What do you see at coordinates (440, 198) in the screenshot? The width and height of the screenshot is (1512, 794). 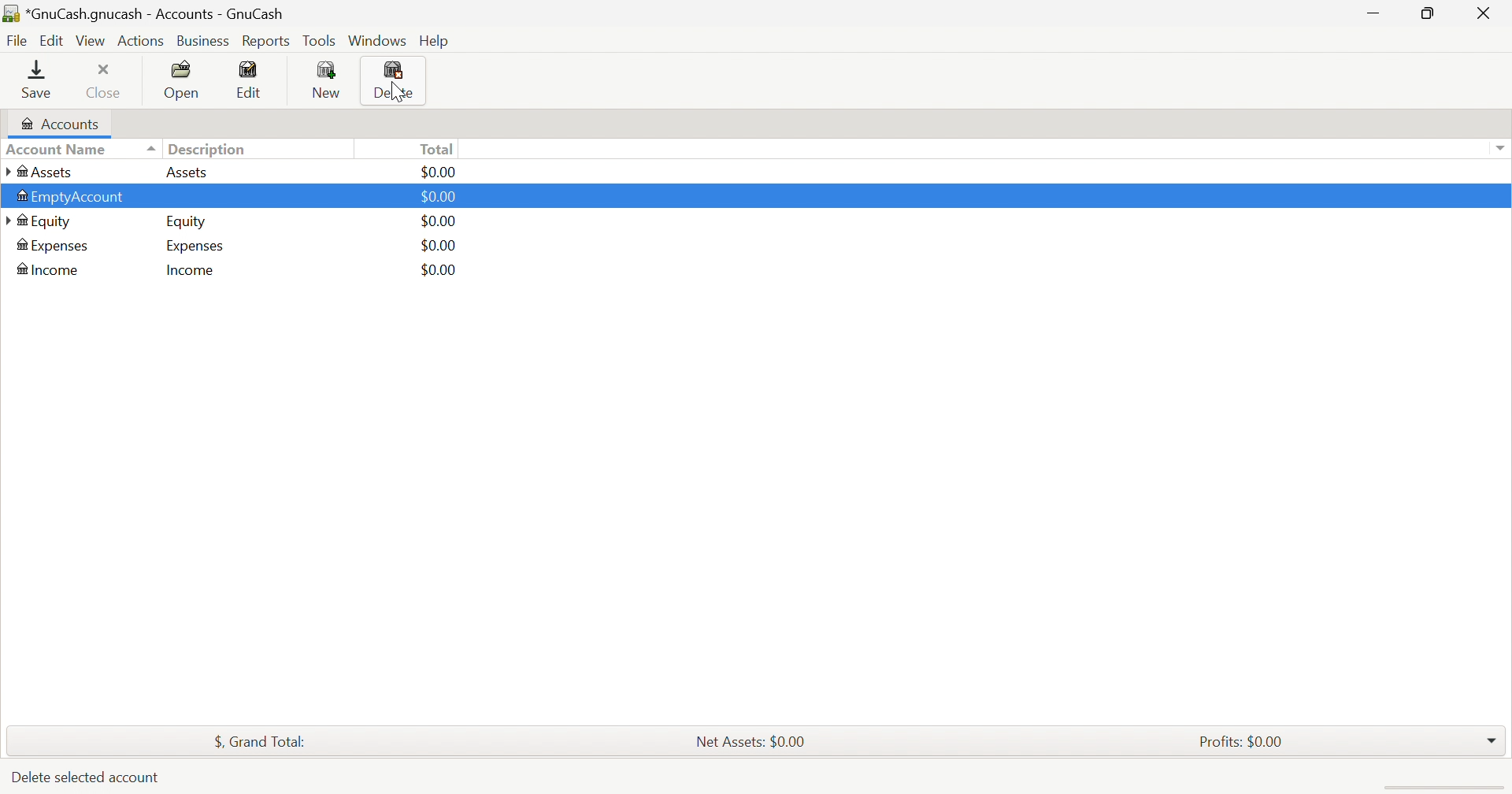 I see `$0.00` at bounding box center [440, 198].